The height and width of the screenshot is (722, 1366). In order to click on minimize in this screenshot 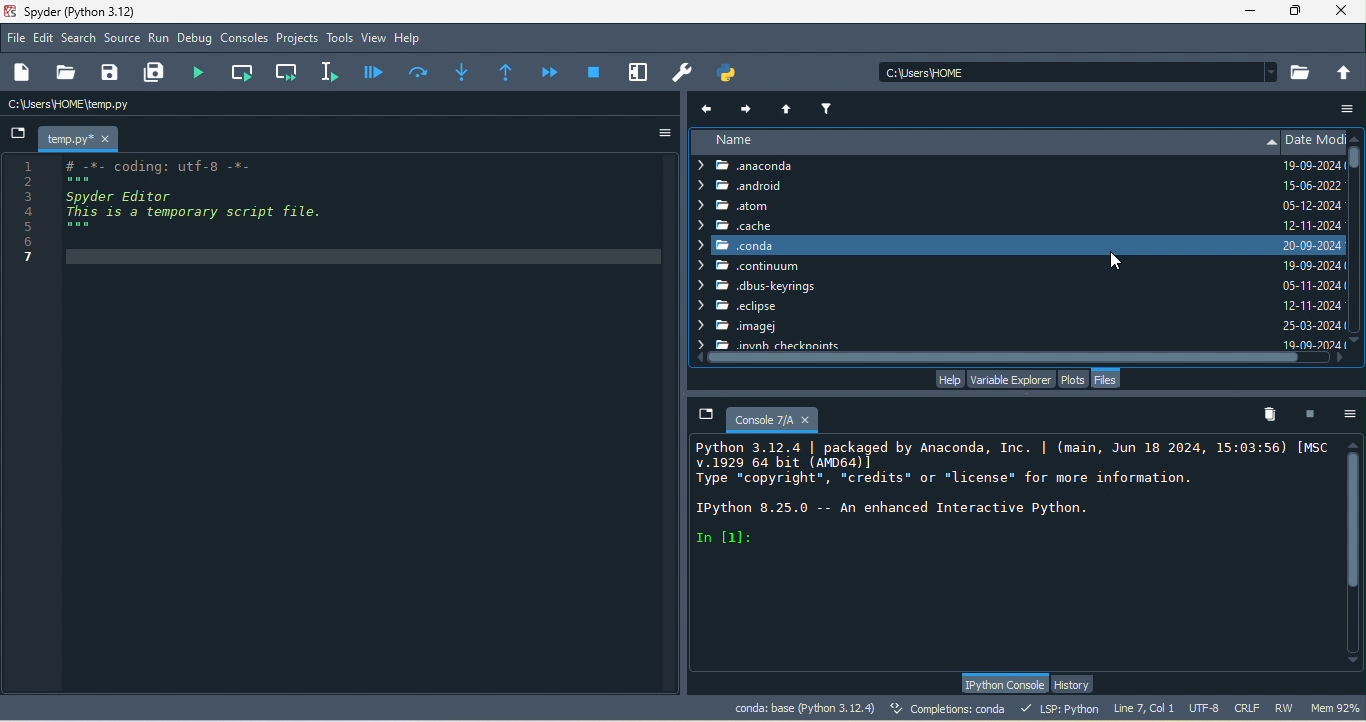, I will do `click(1249, 14)`.